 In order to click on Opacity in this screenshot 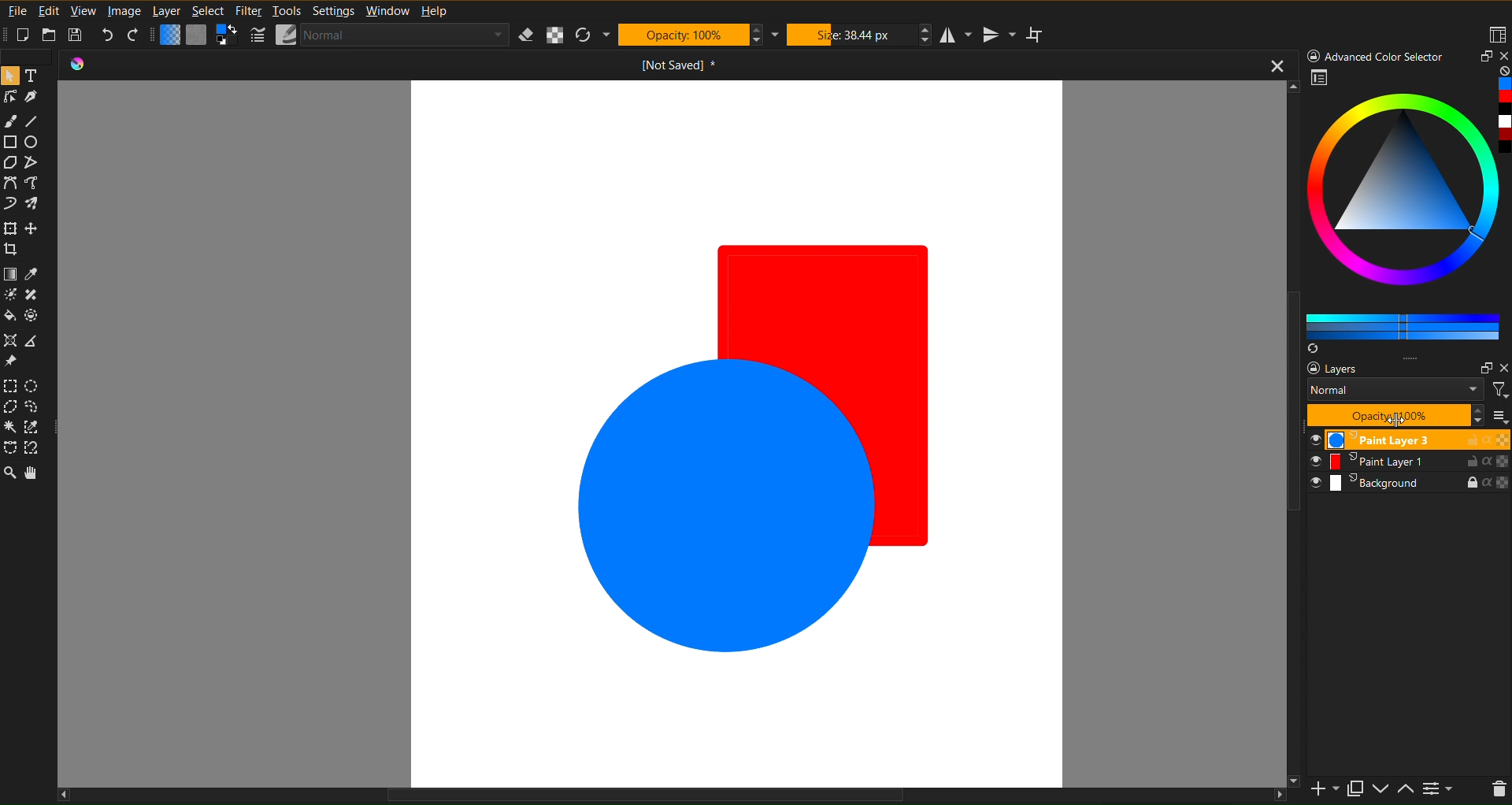, I will do `click(680, 35)`.